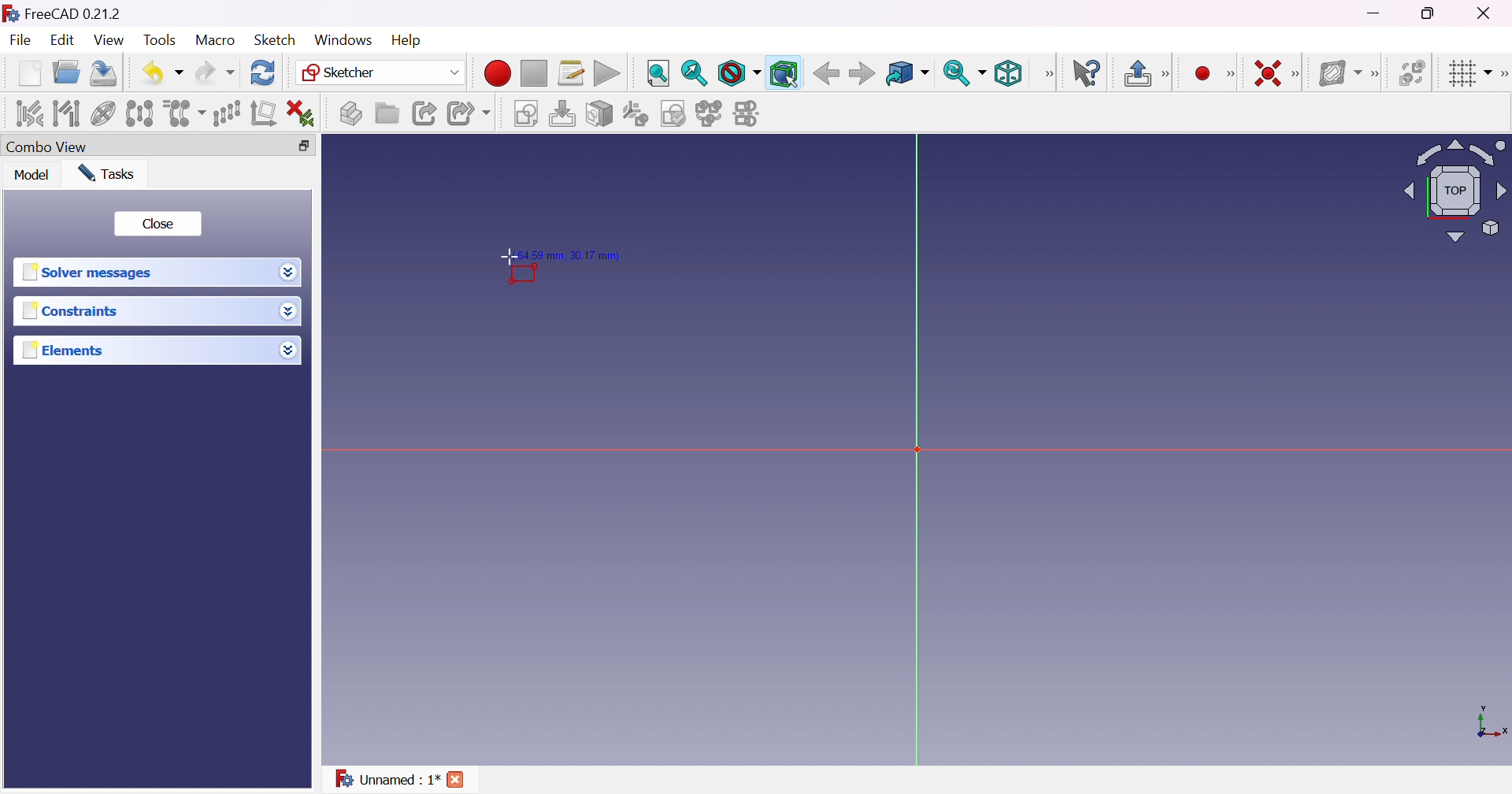  I want to click on Forward, so click(862, 74).